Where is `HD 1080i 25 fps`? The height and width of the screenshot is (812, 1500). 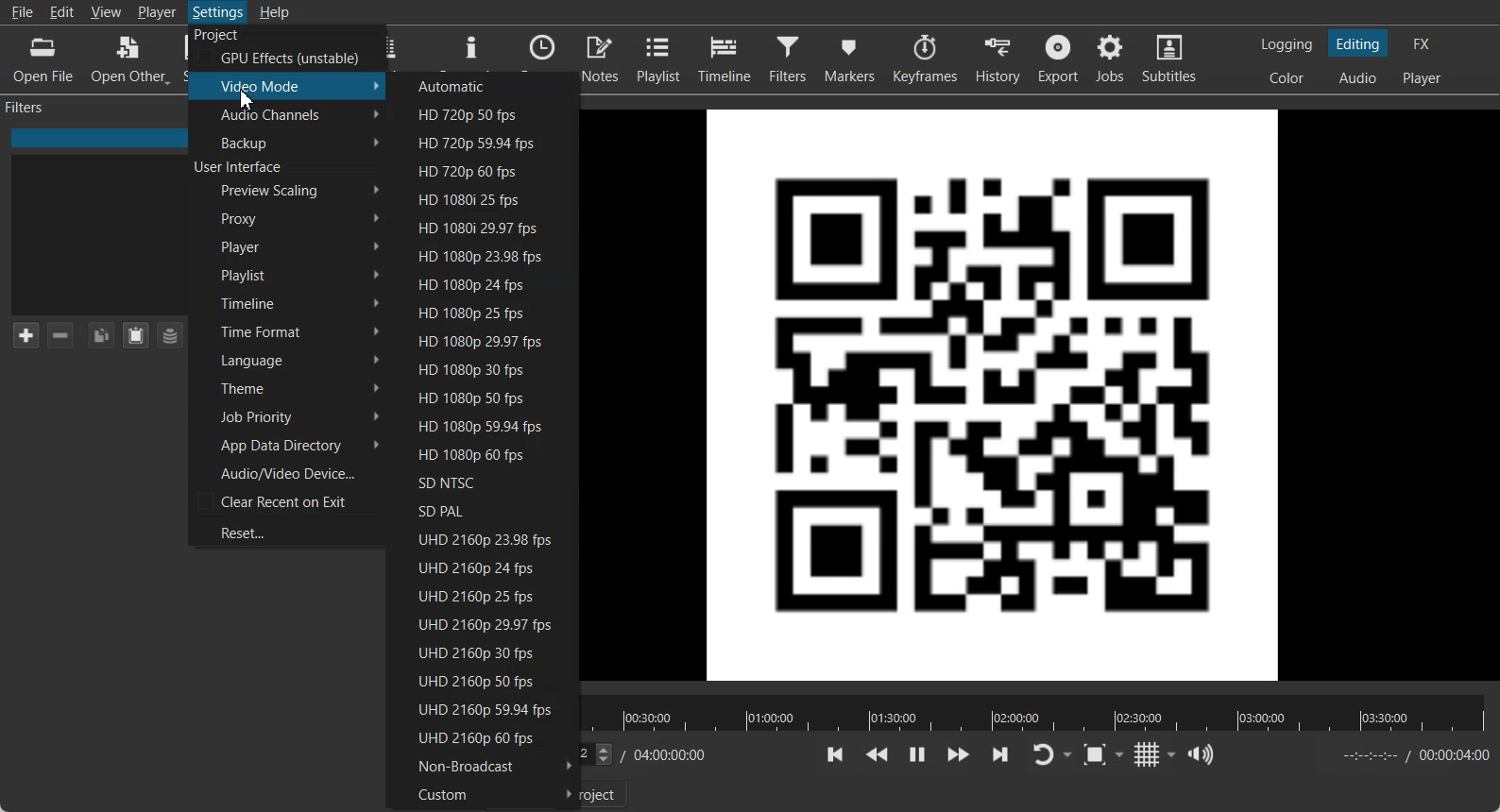
HD 1080i 25 fps is located at coordinates (478, 199).